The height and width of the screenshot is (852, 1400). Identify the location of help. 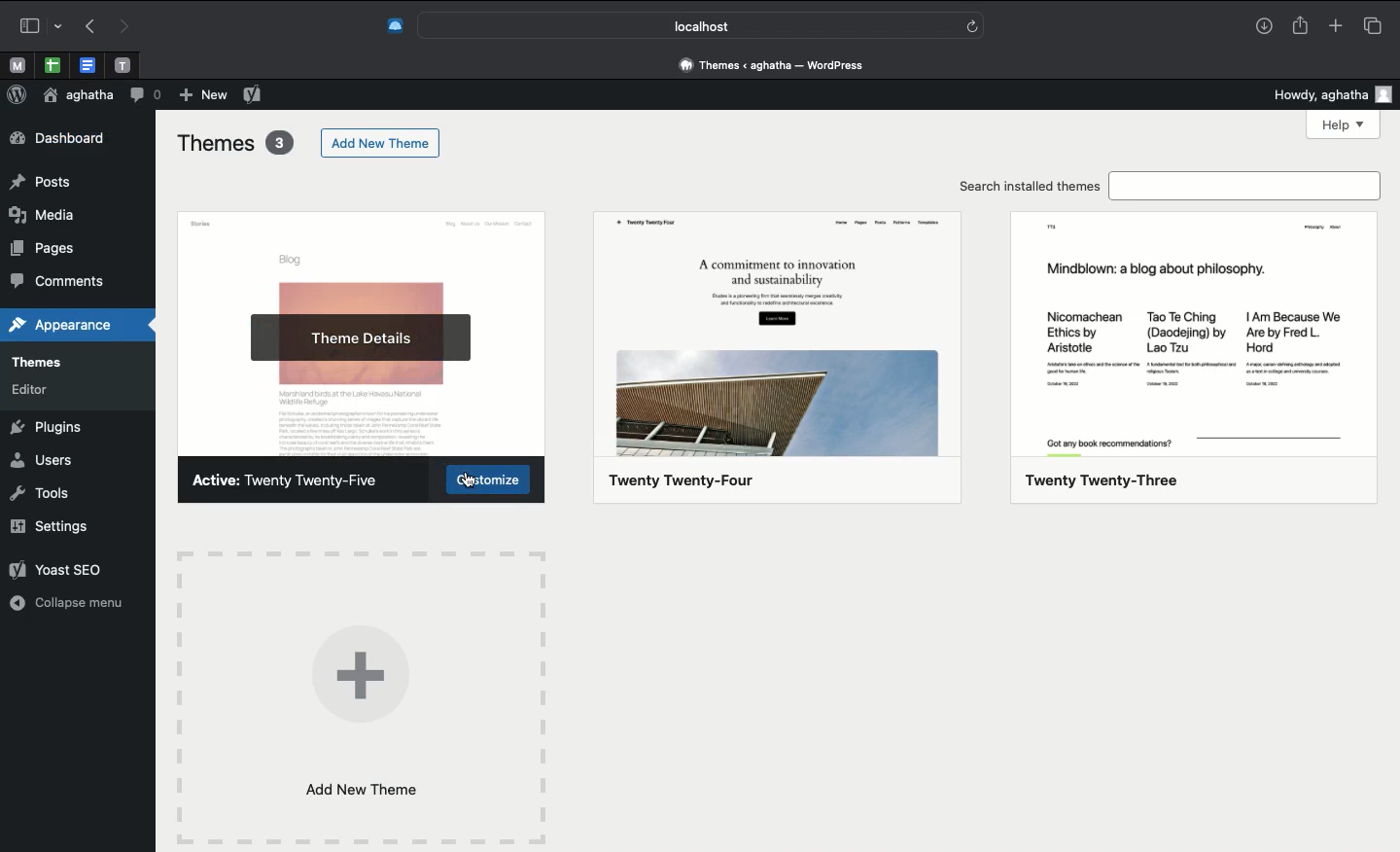
(1344, 127).